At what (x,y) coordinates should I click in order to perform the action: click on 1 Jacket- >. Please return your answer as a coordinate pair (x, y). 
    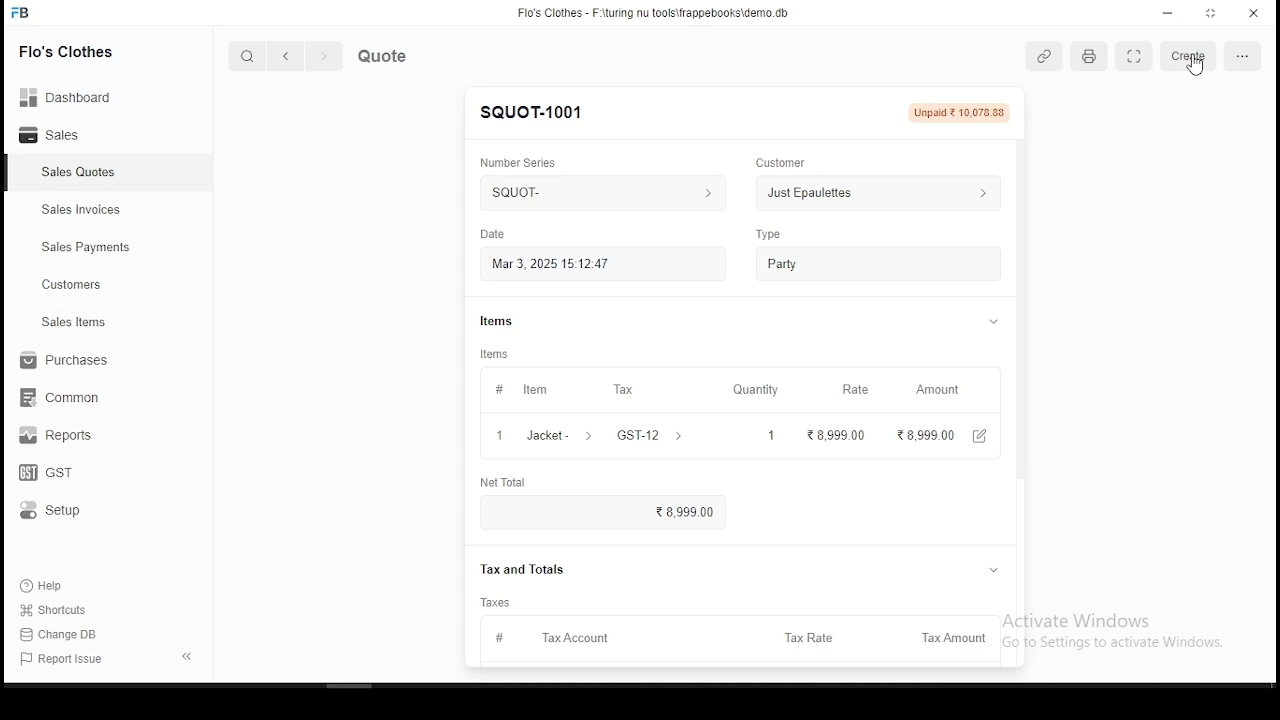
    Looking at the image, I should click on (547, 436).